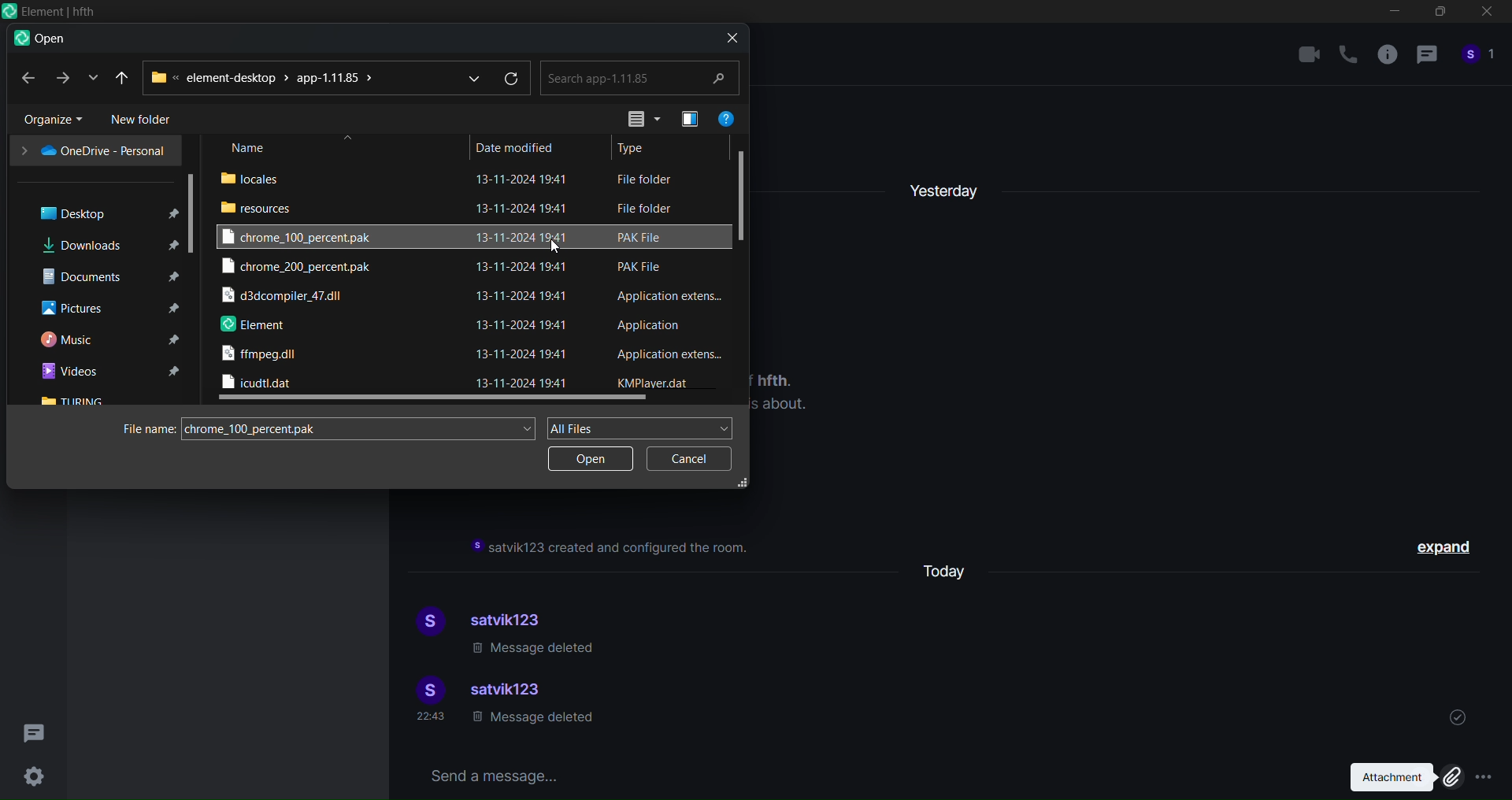 The width and height of the screenshot is (1512, 800). Describe the element at coordinates (1395, 14) in the screenshot. I see `minimize` at that location.